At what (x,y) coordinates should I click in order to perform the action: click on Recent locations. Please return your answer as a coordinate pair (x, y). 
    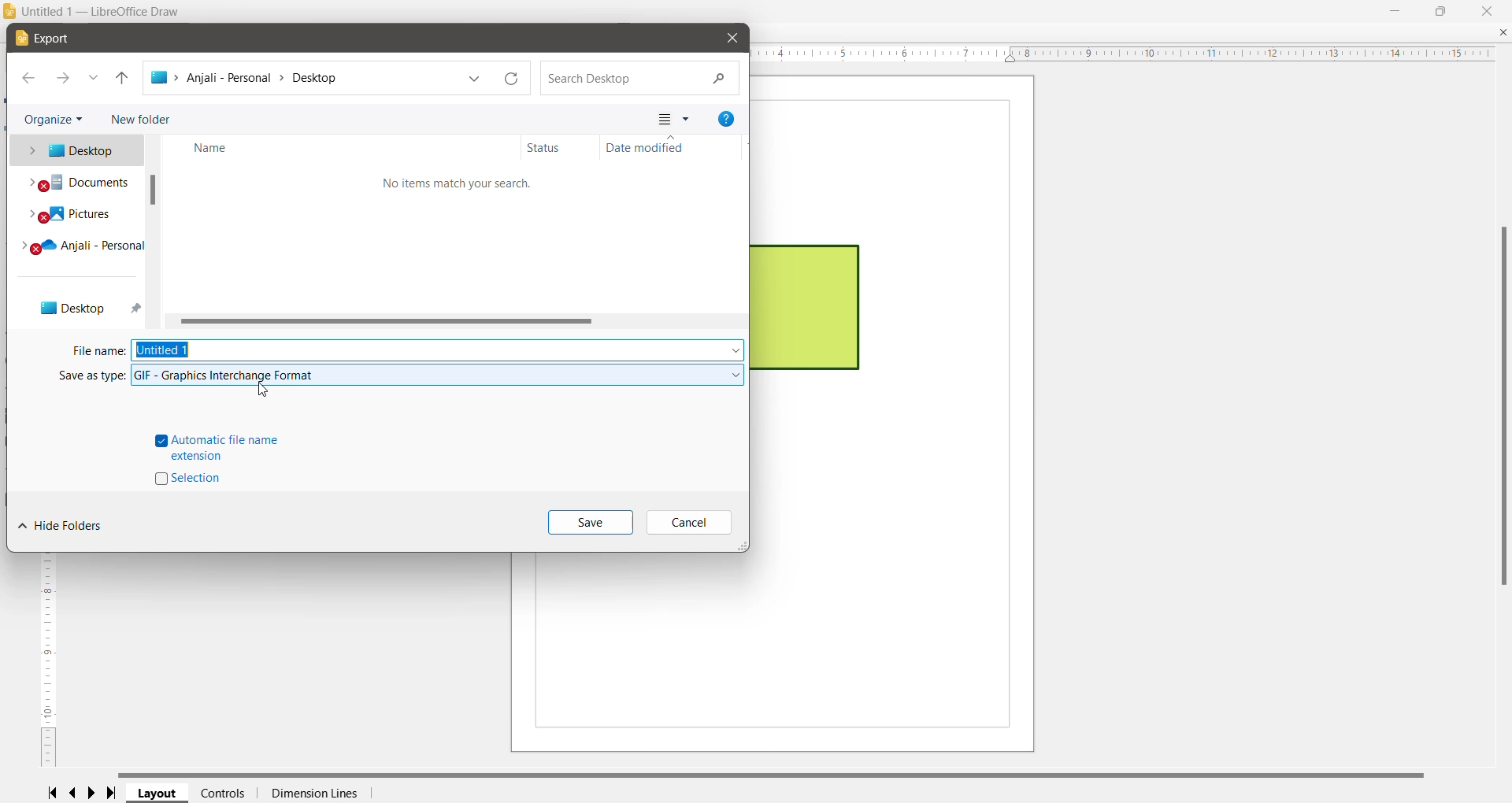
    Looking at the image, I should click on (94, 79).